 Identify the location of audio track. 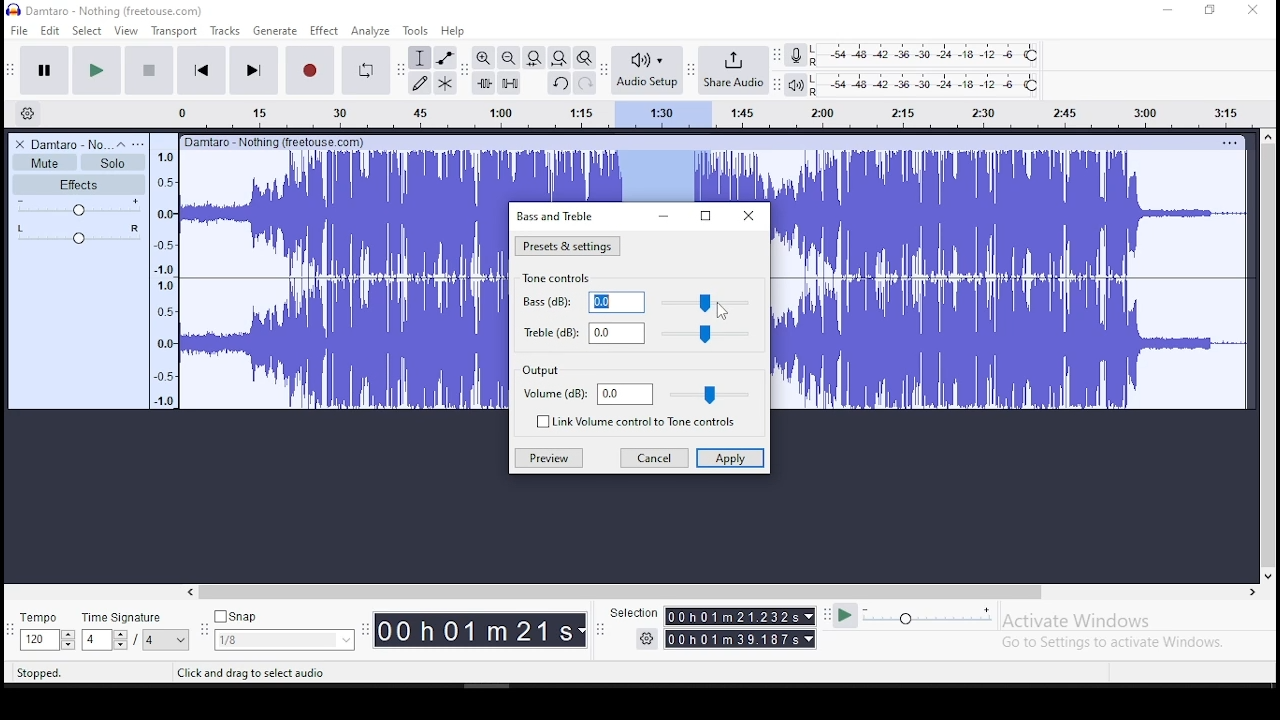
(343, 344).